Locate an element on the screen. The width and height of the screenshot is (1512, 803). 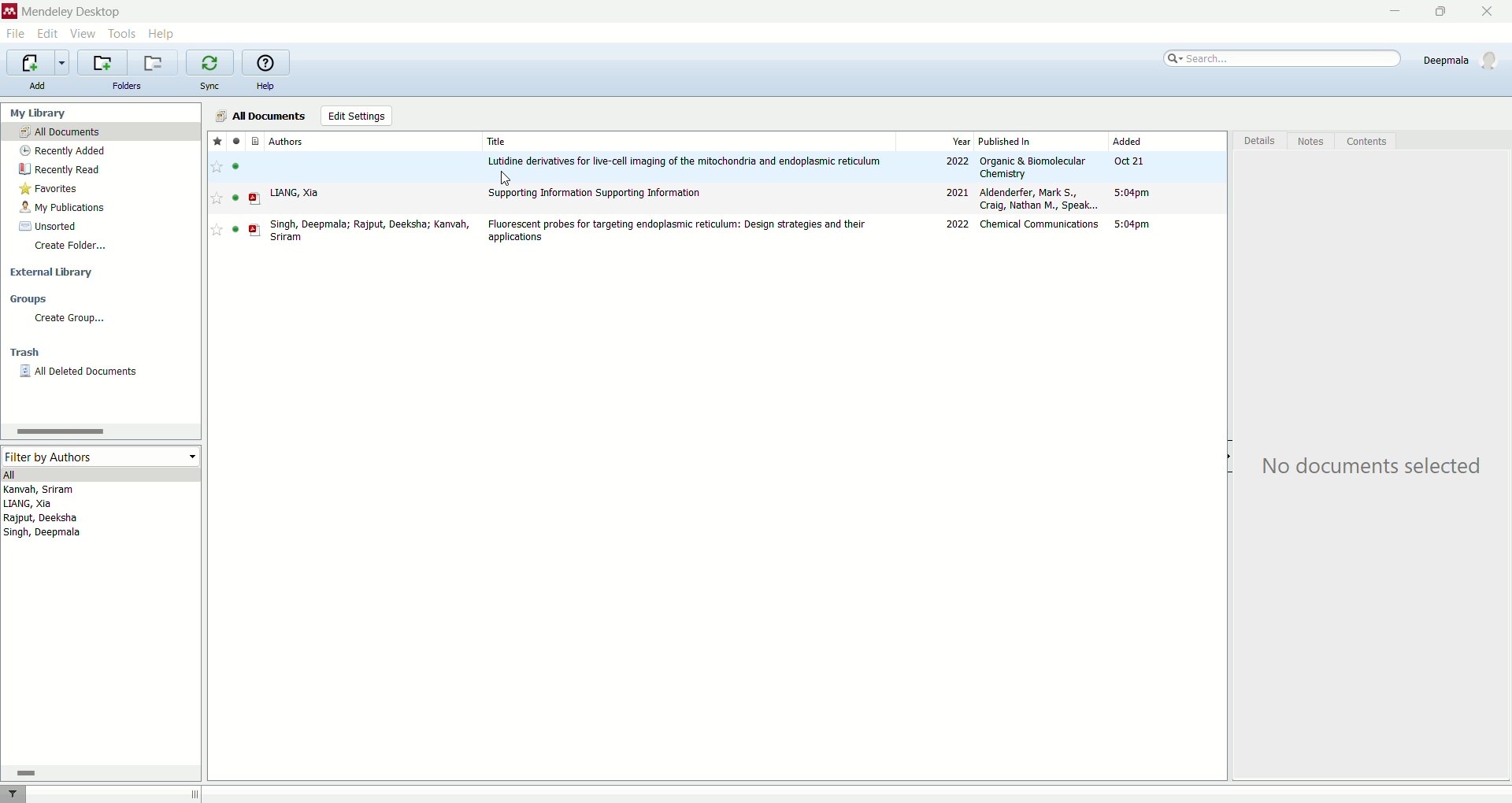
folders is located at coordinates (130, 85).